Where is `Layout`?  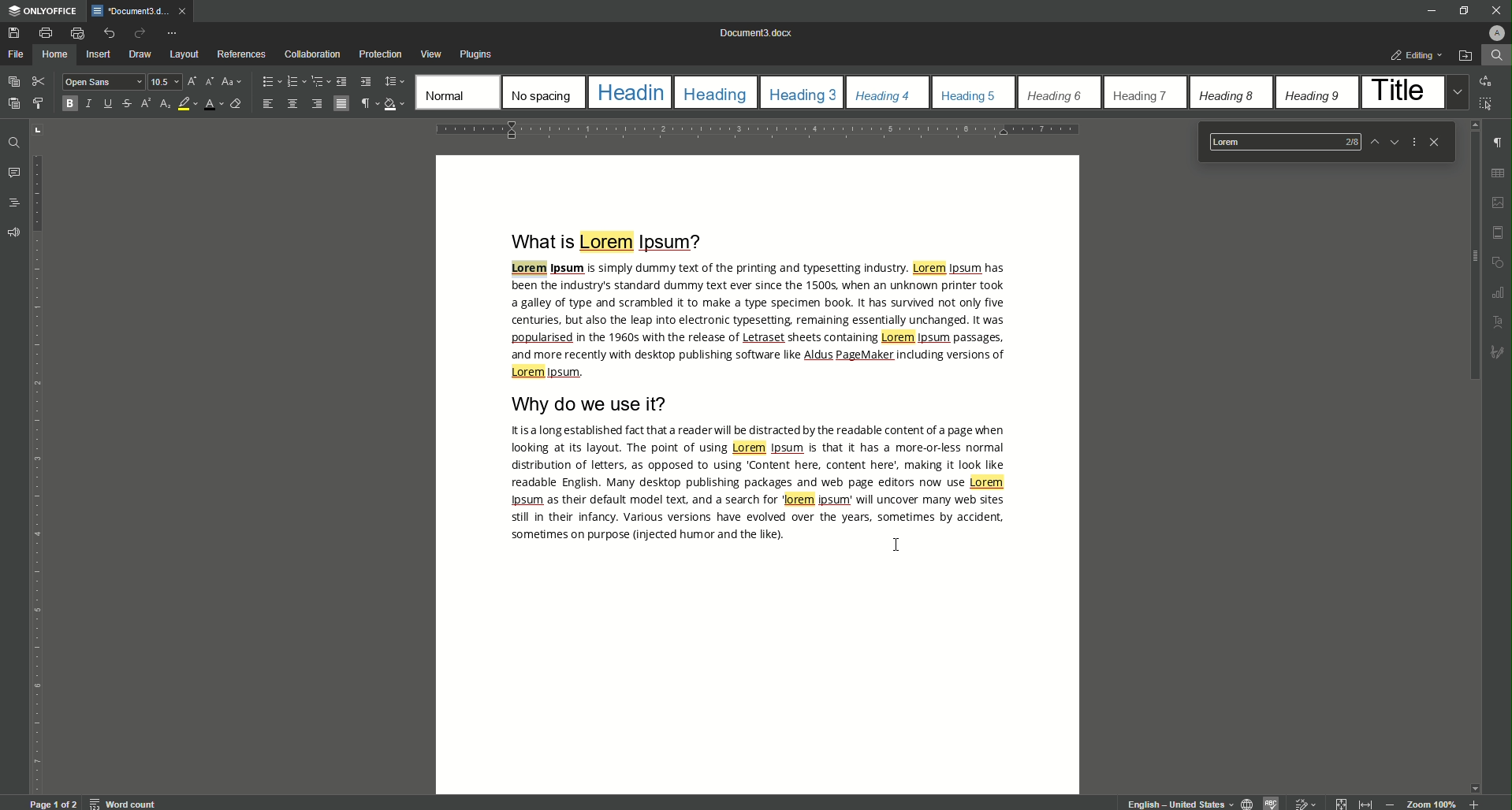 Layout is located at coordinates (184, 55).